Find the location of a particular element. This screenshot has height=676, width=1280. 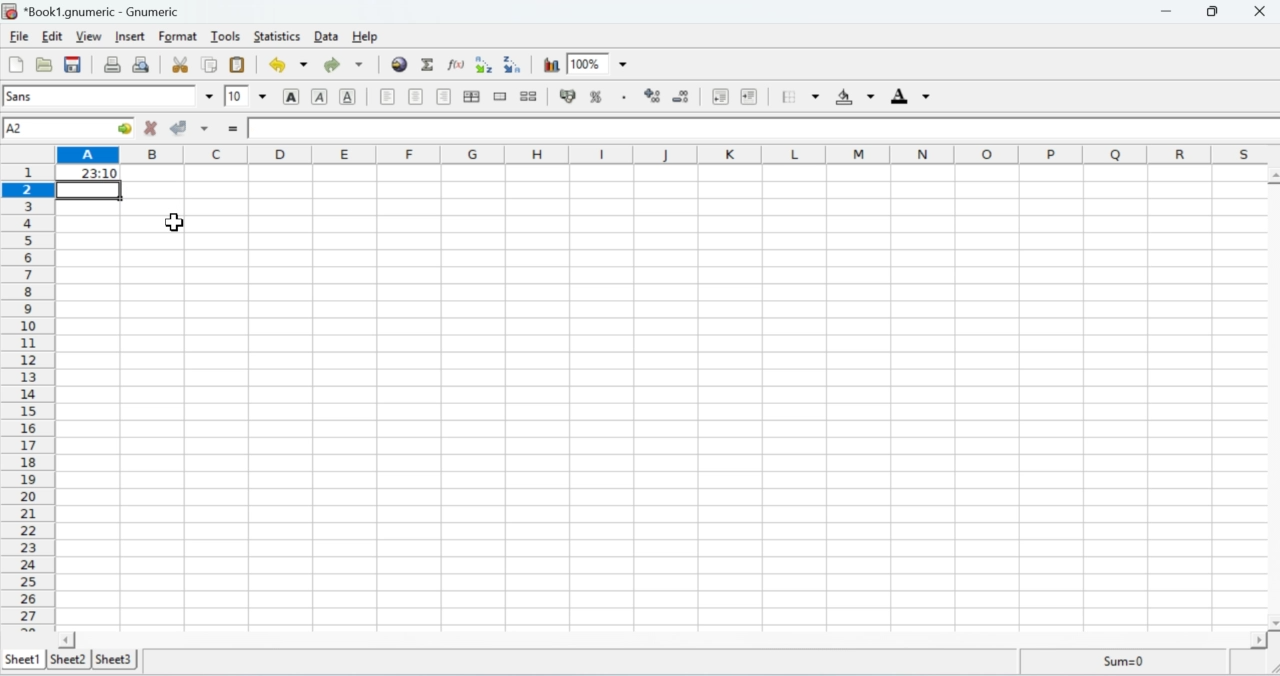

Chart is located at coordinates (549, 64).